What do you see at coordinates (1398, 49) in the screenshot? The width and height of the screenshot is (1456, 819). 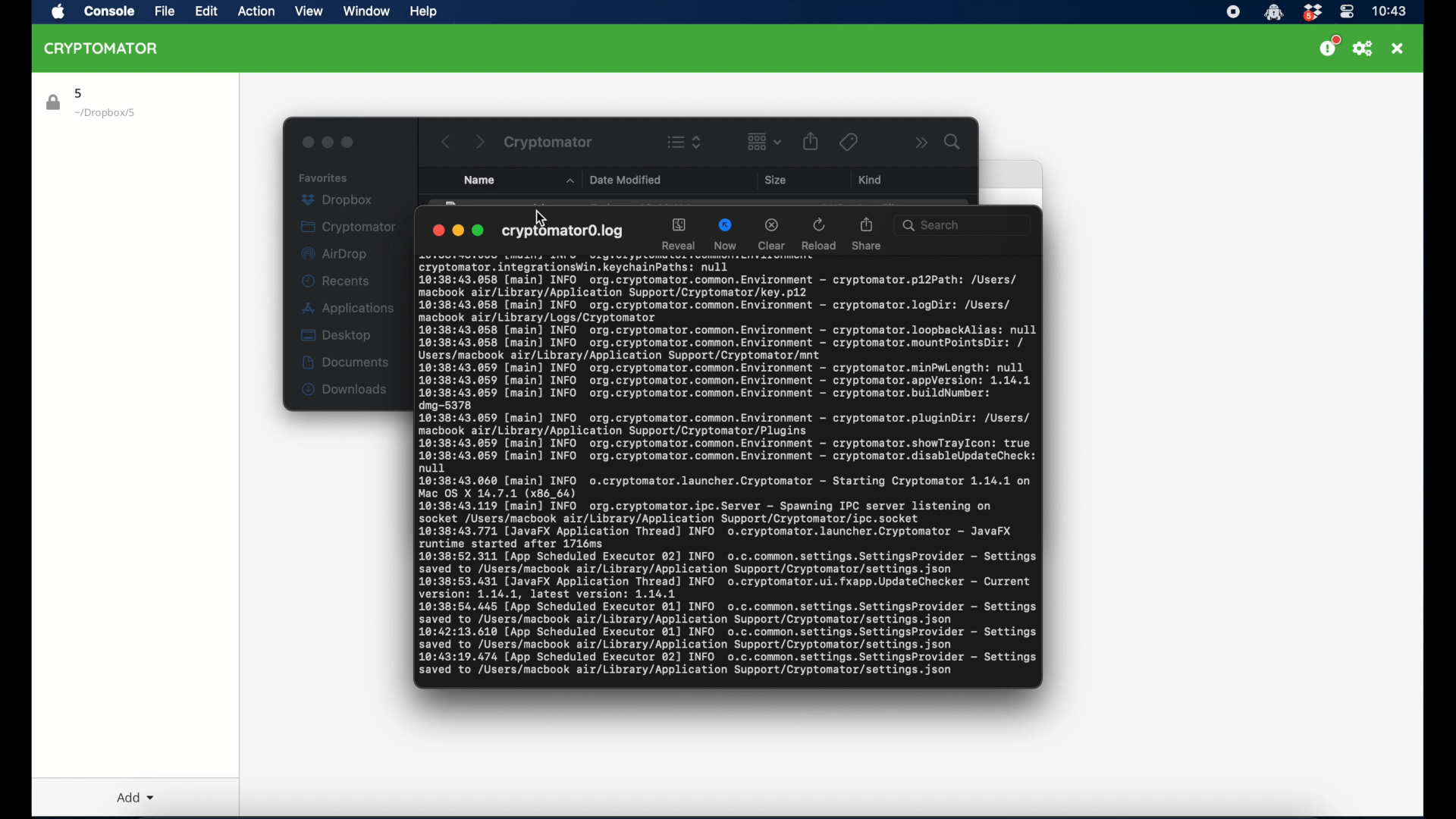 I see `close` at bounding box center [1398, 49].